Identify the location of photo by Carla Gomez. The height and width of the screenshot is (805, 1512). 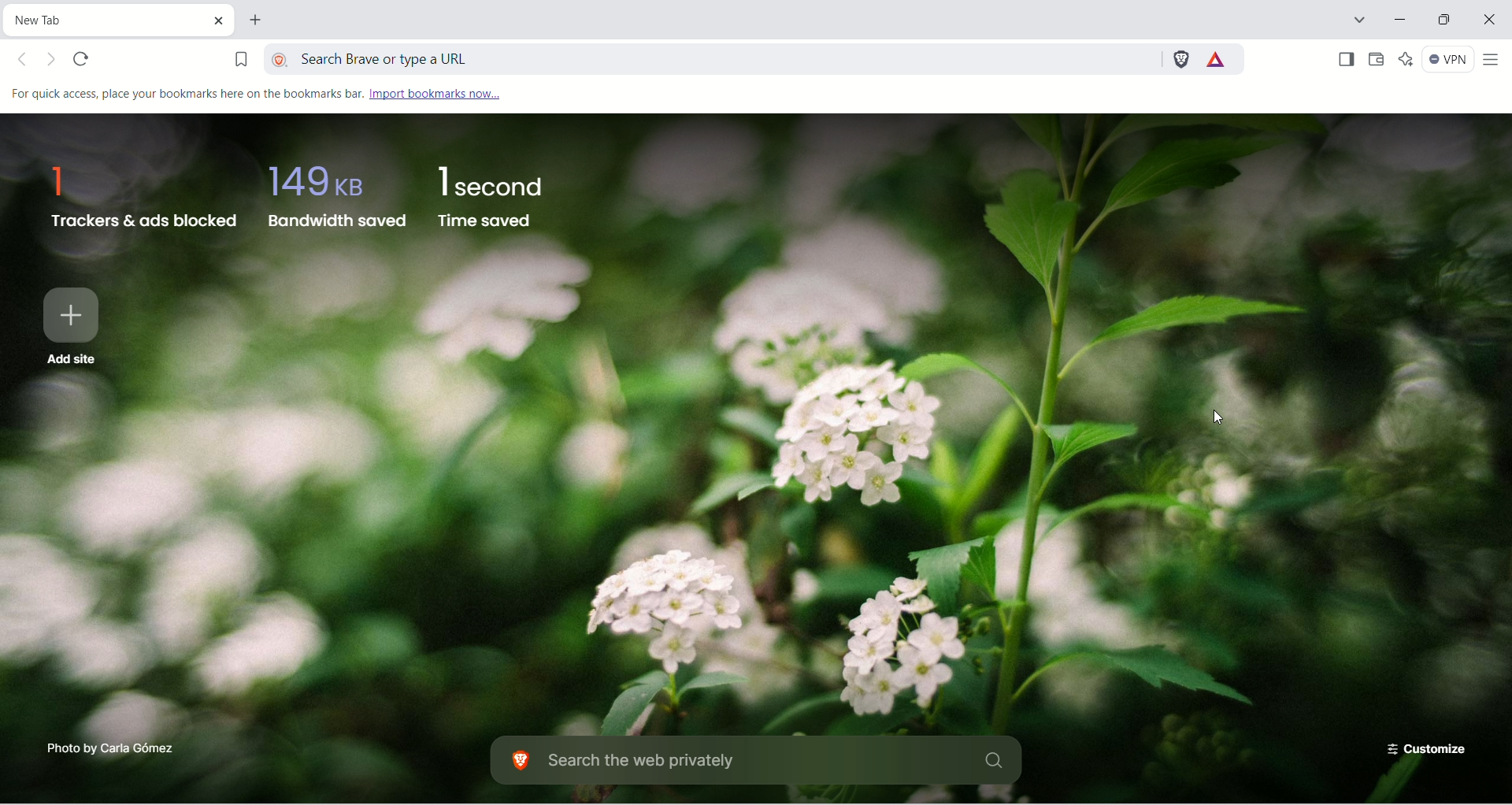
(102, 751).